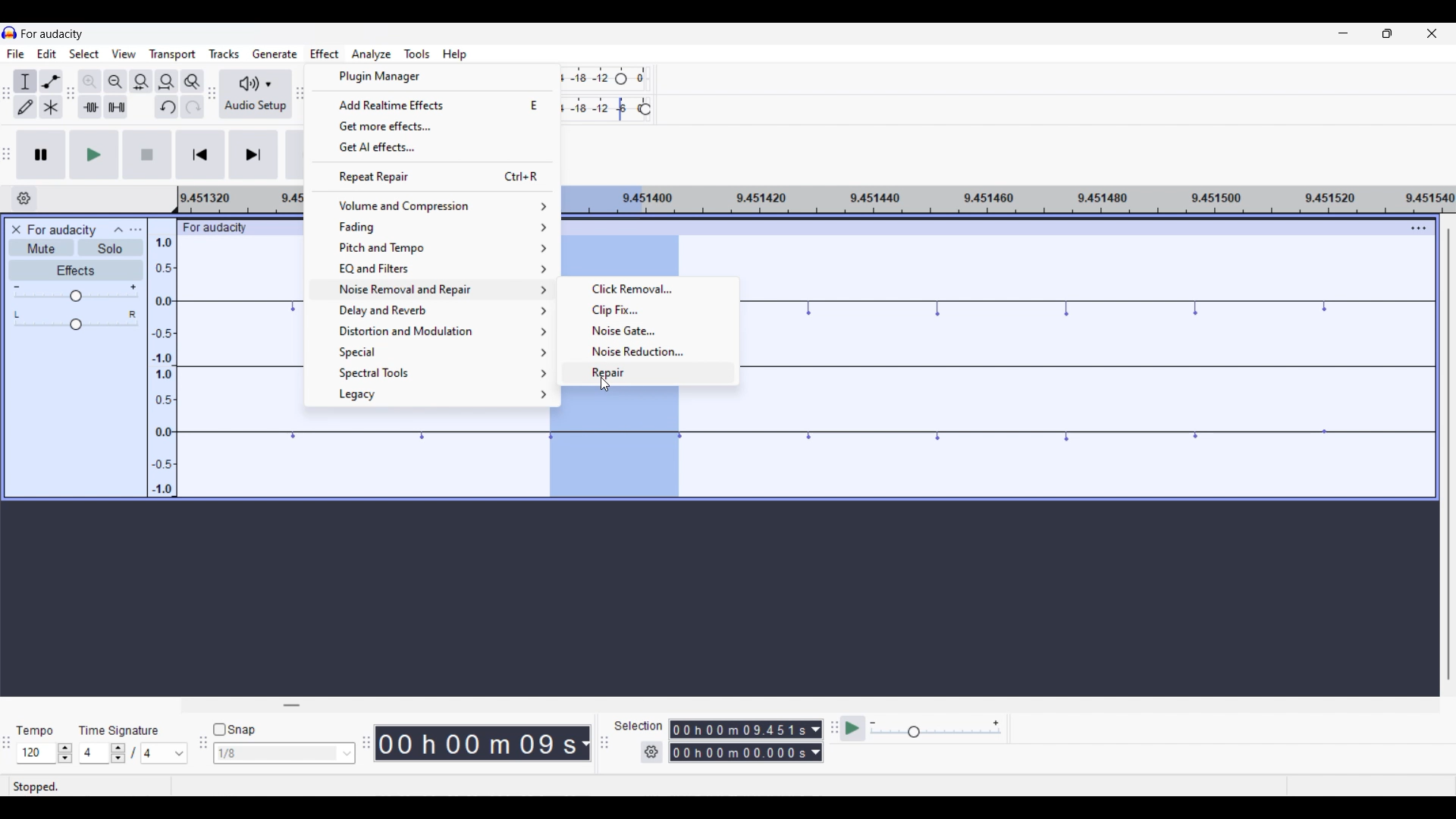 The width and height of the screenshot is (1456, 819). What do you see at coordinates (256, 93) in the screenshot?
I see `Audio setup` at bounding box center [256, 93].